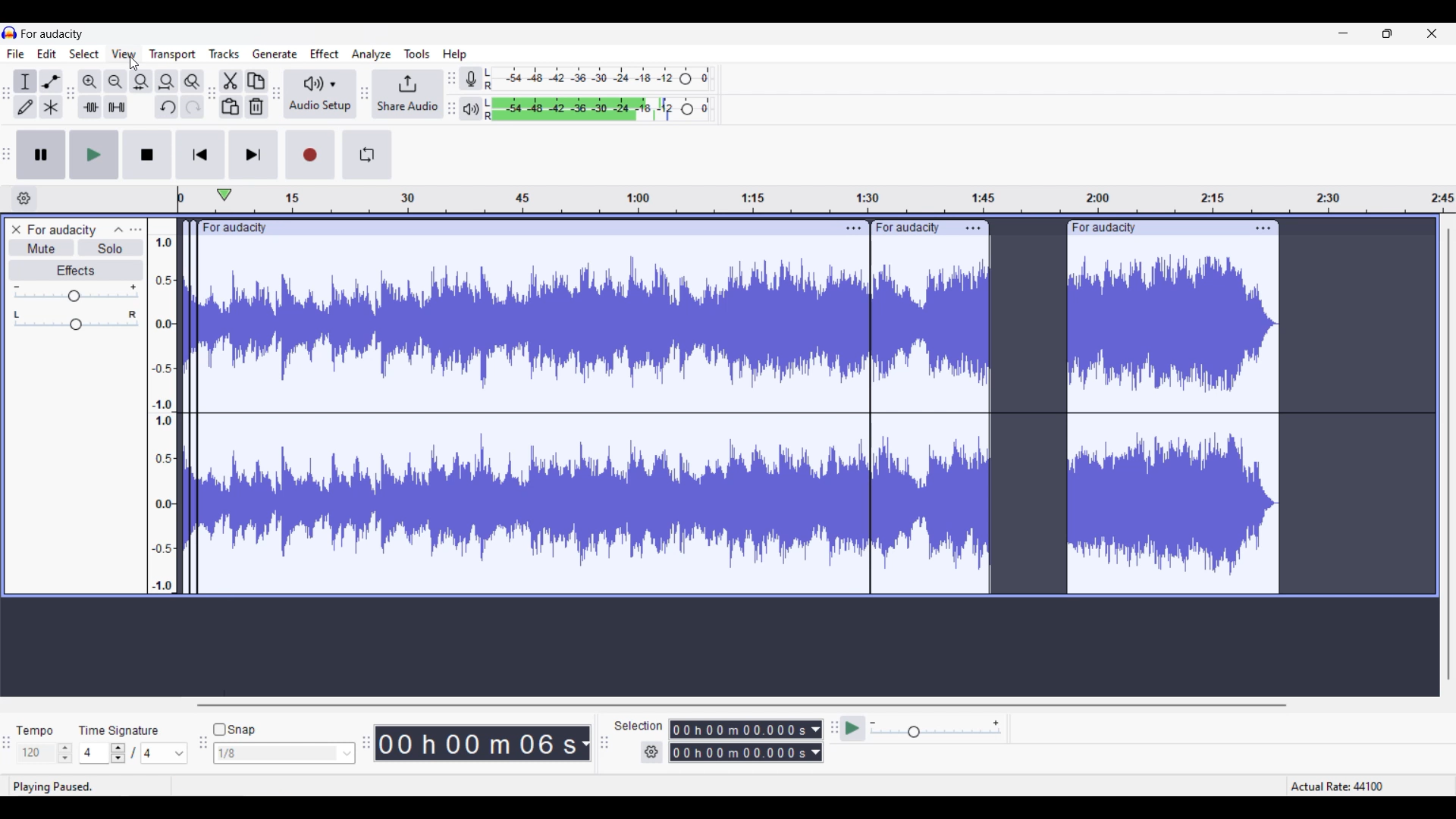 This screenshot has width=1456, height=819. What do you see at coordinates (231, 107) in the screenshot?
I see `Paste` at bounding box center [231, 107].